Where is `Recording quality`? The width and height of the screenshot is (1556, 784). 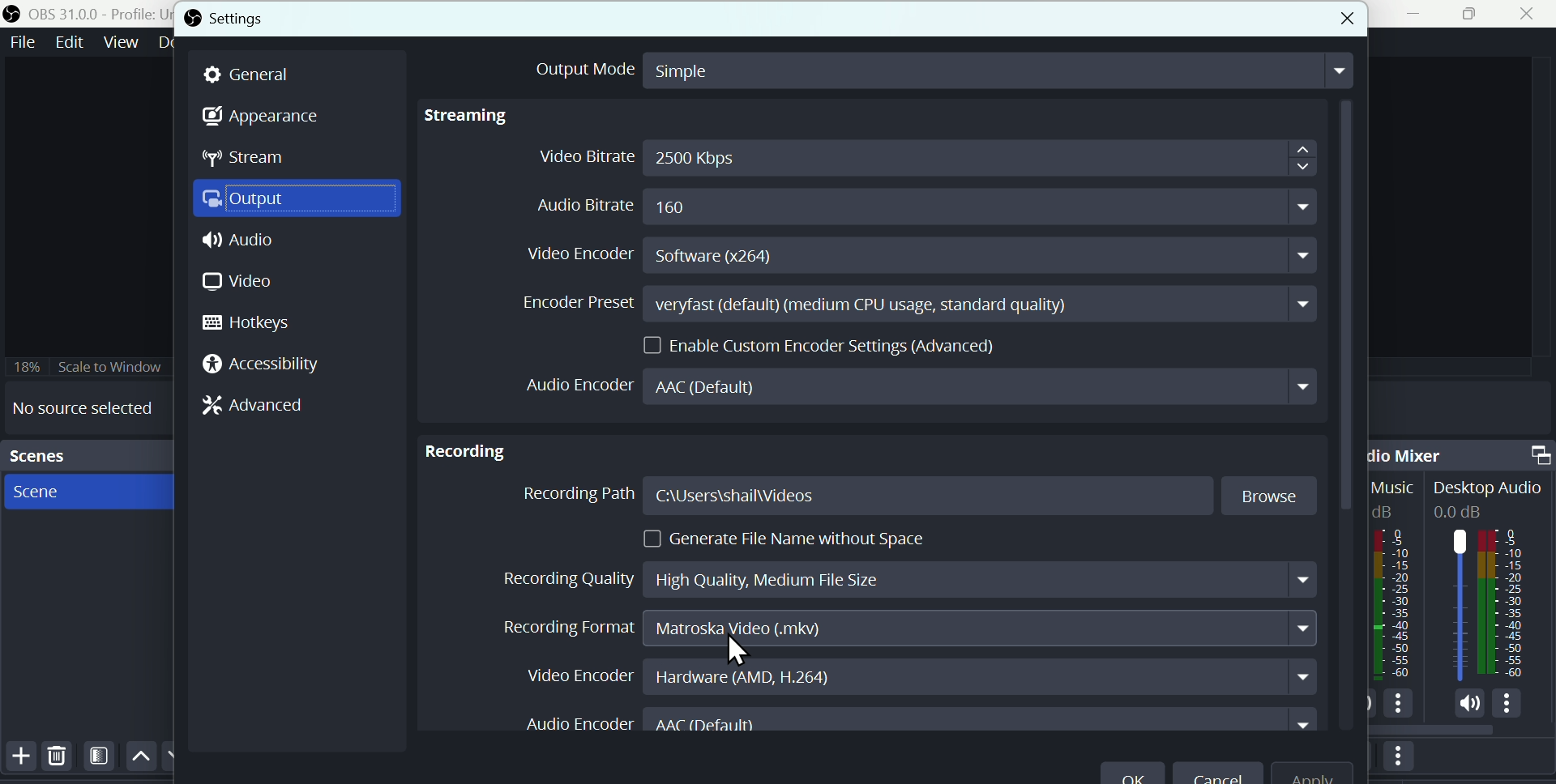
Recording quality is located at coordinates (903, 577).